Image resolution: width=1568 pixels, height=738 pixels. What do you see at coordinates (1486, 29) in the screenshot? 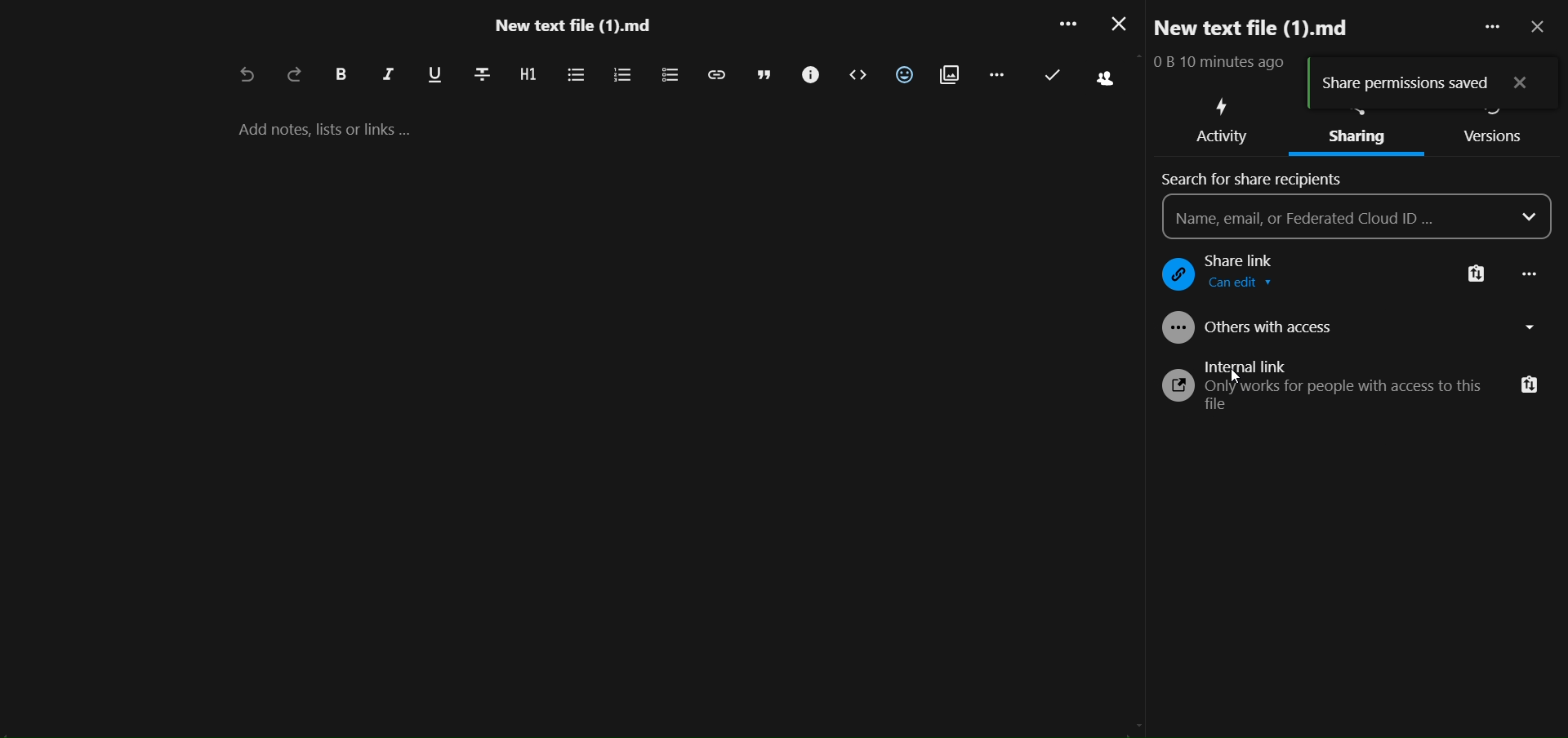
I see `more` at bounding box center [1486, 29].